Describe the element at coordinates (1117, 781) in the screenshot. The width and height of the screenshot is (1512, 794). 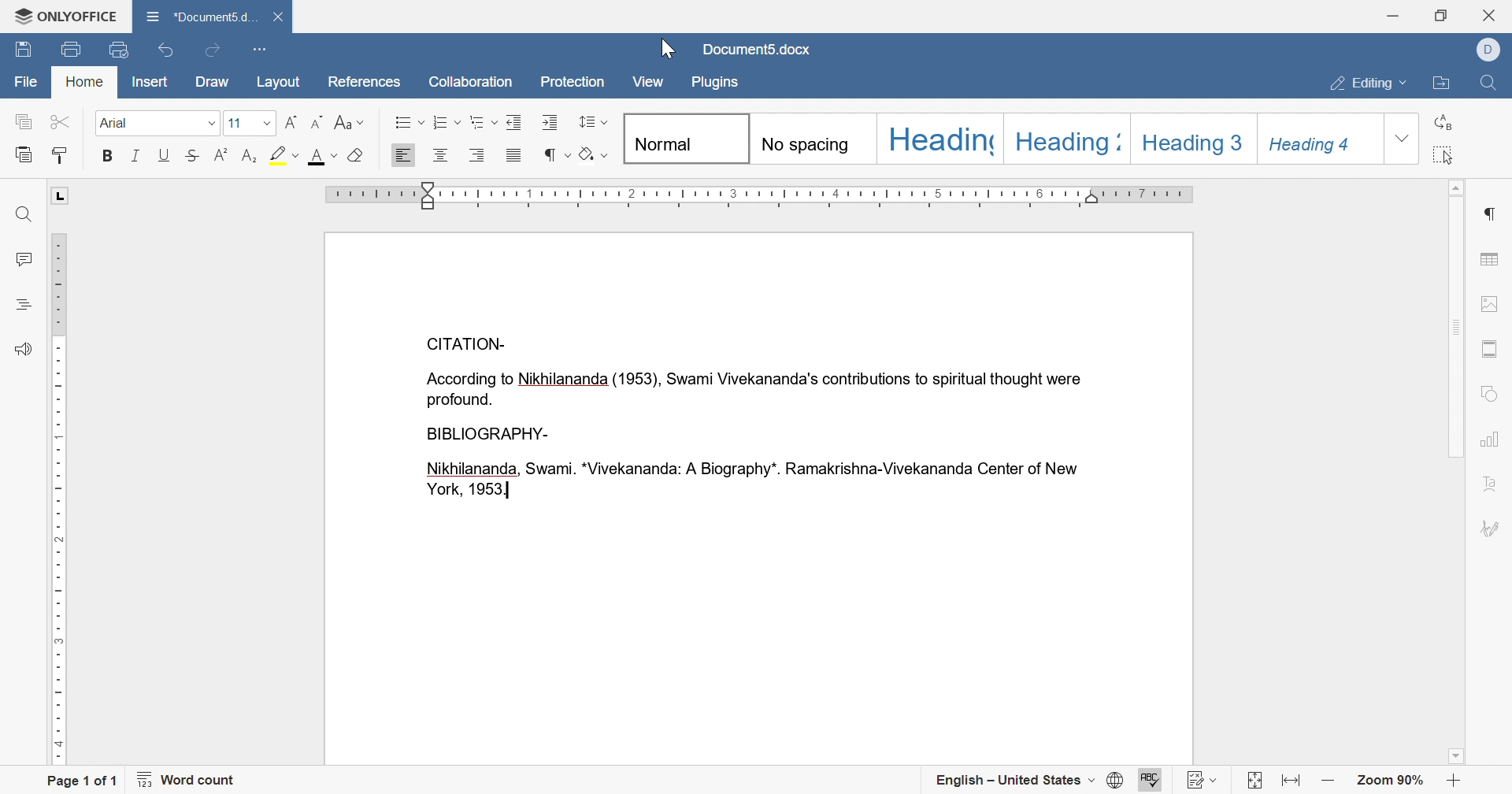
I see `set document language` at that location.